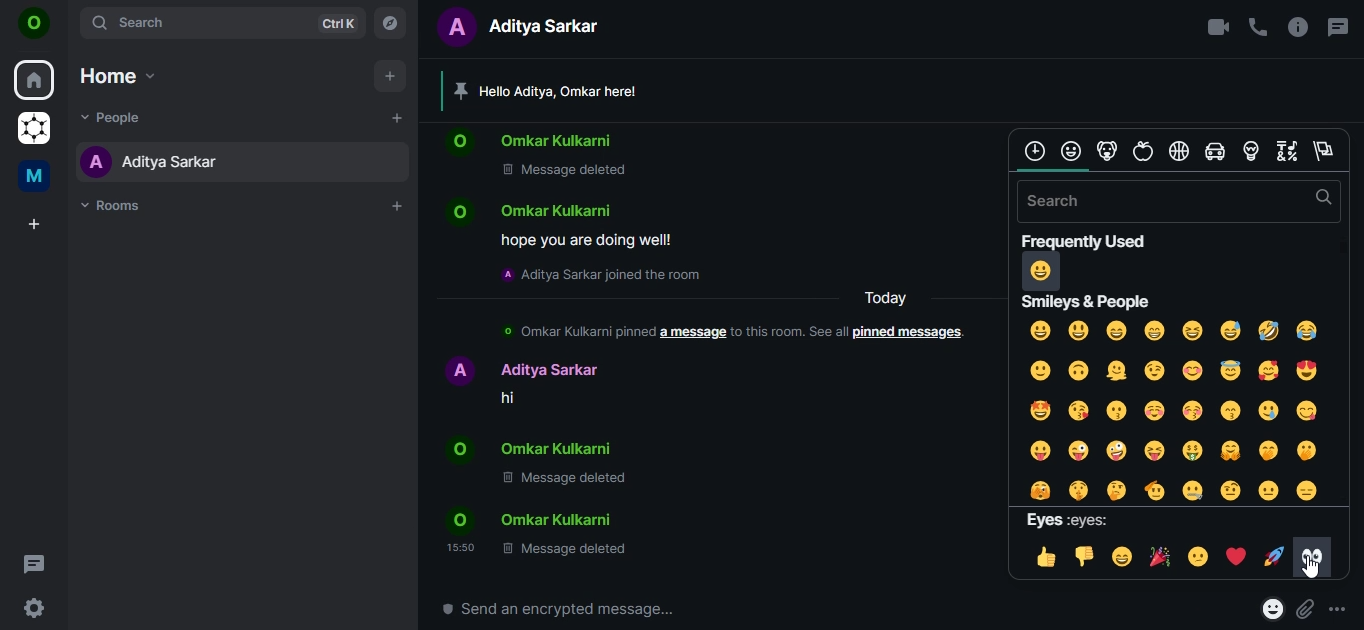 This screenshot has height=630, width=1364. I want to click on cars, so click(1215, 151).